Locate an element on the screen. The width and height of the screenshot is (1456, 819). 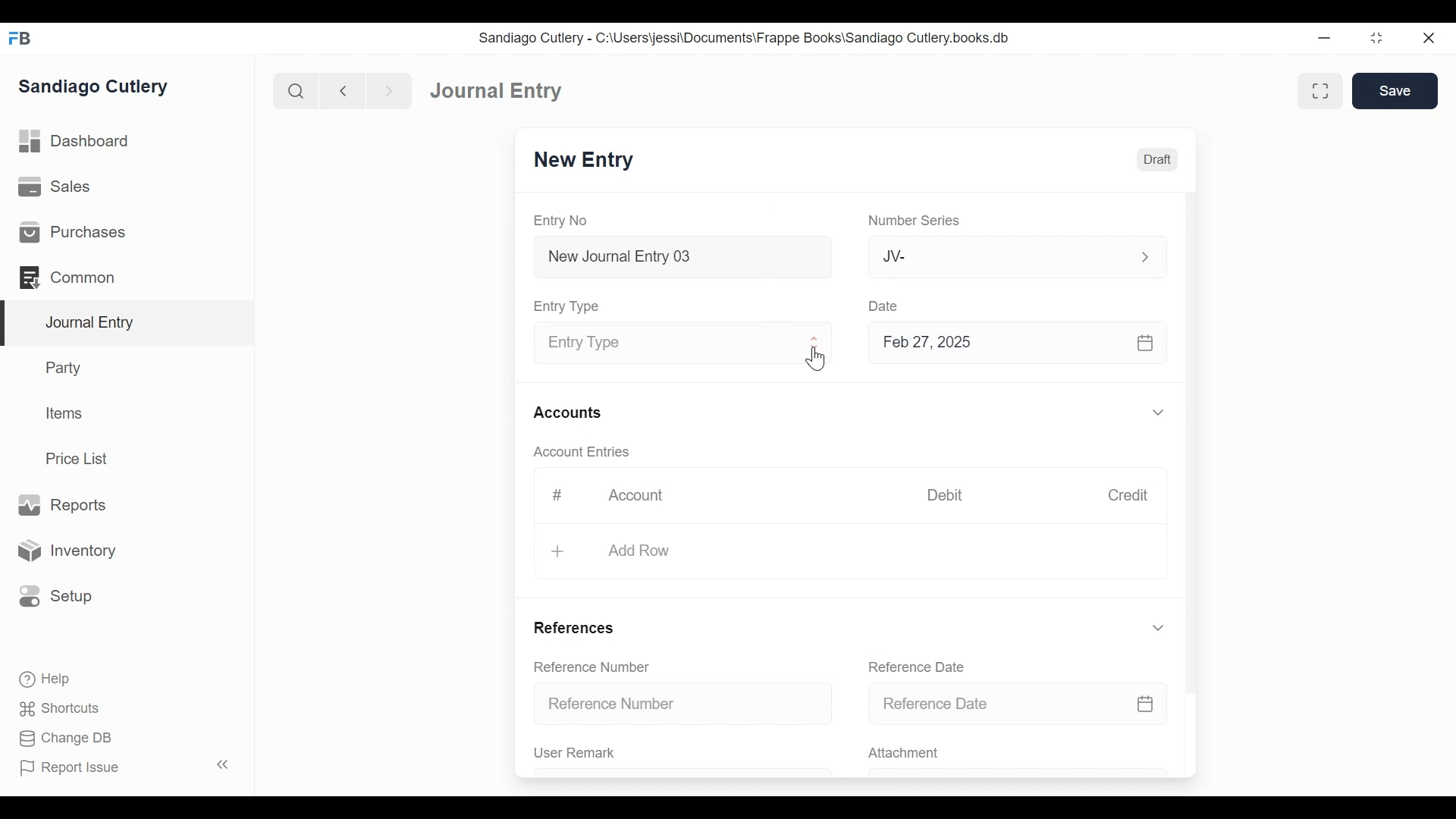
Change DB is located at coordinates (64, 739).